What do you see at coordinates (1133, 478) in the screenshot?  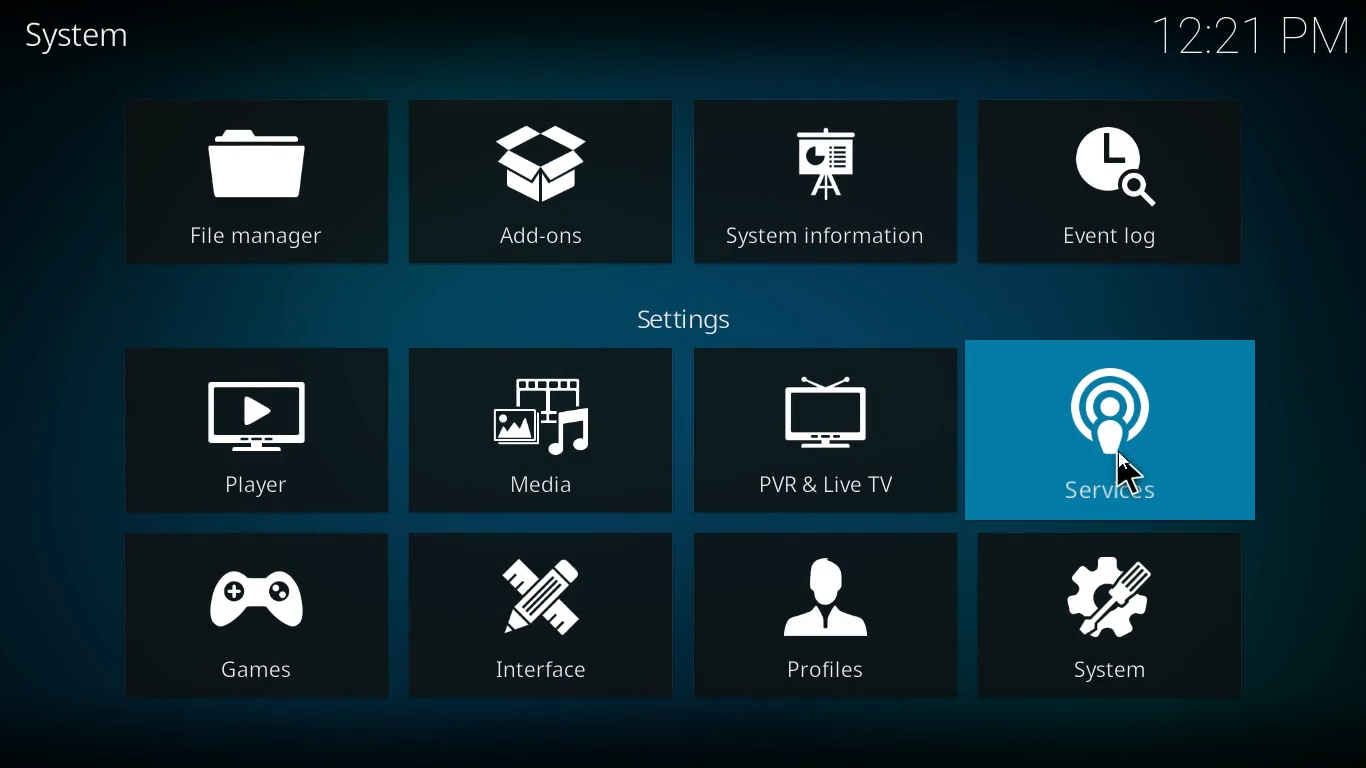 I see `cursor` at bounding box center [1133, 478].